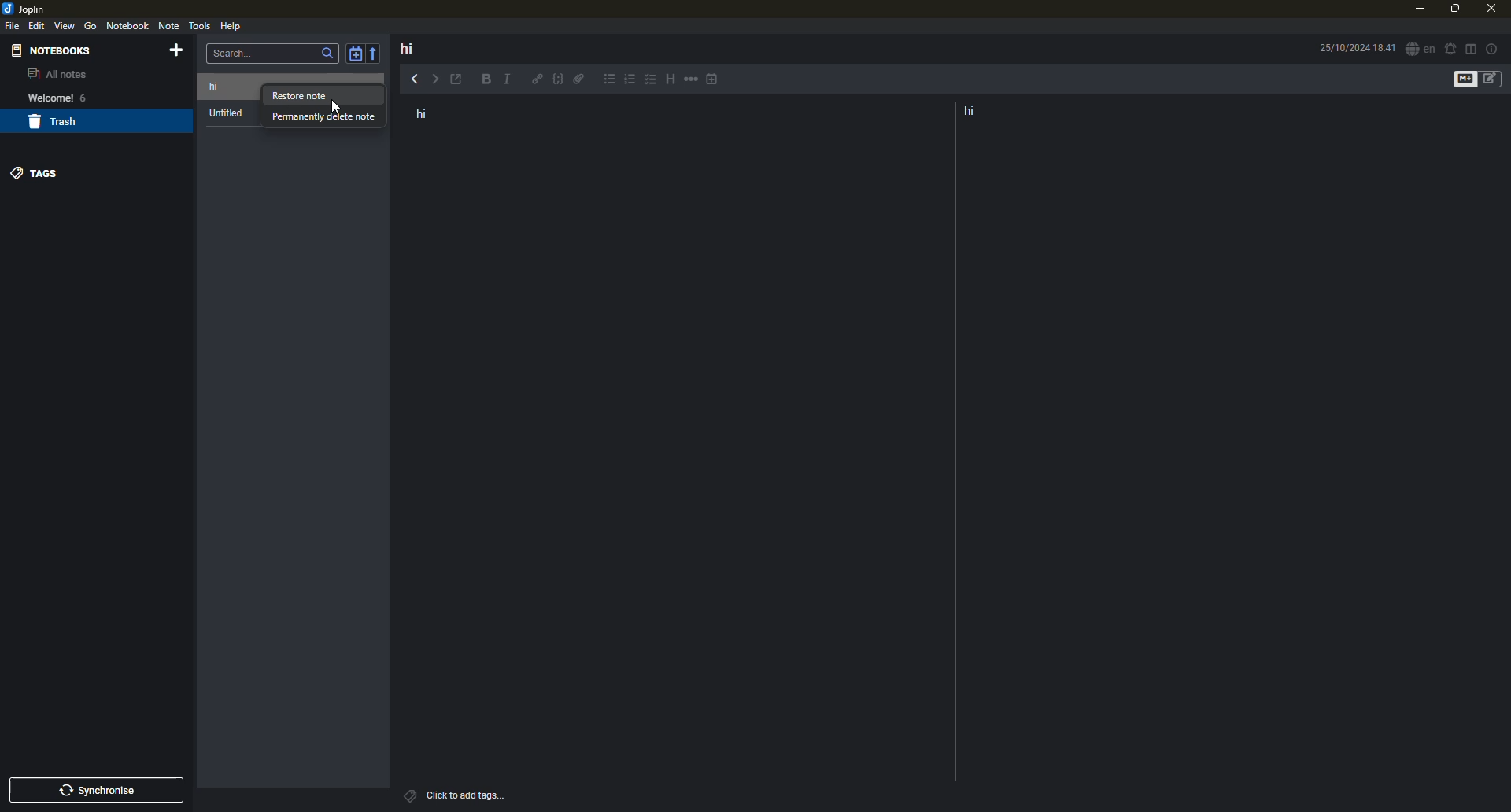  I want to click on forward, so click(439, 79).